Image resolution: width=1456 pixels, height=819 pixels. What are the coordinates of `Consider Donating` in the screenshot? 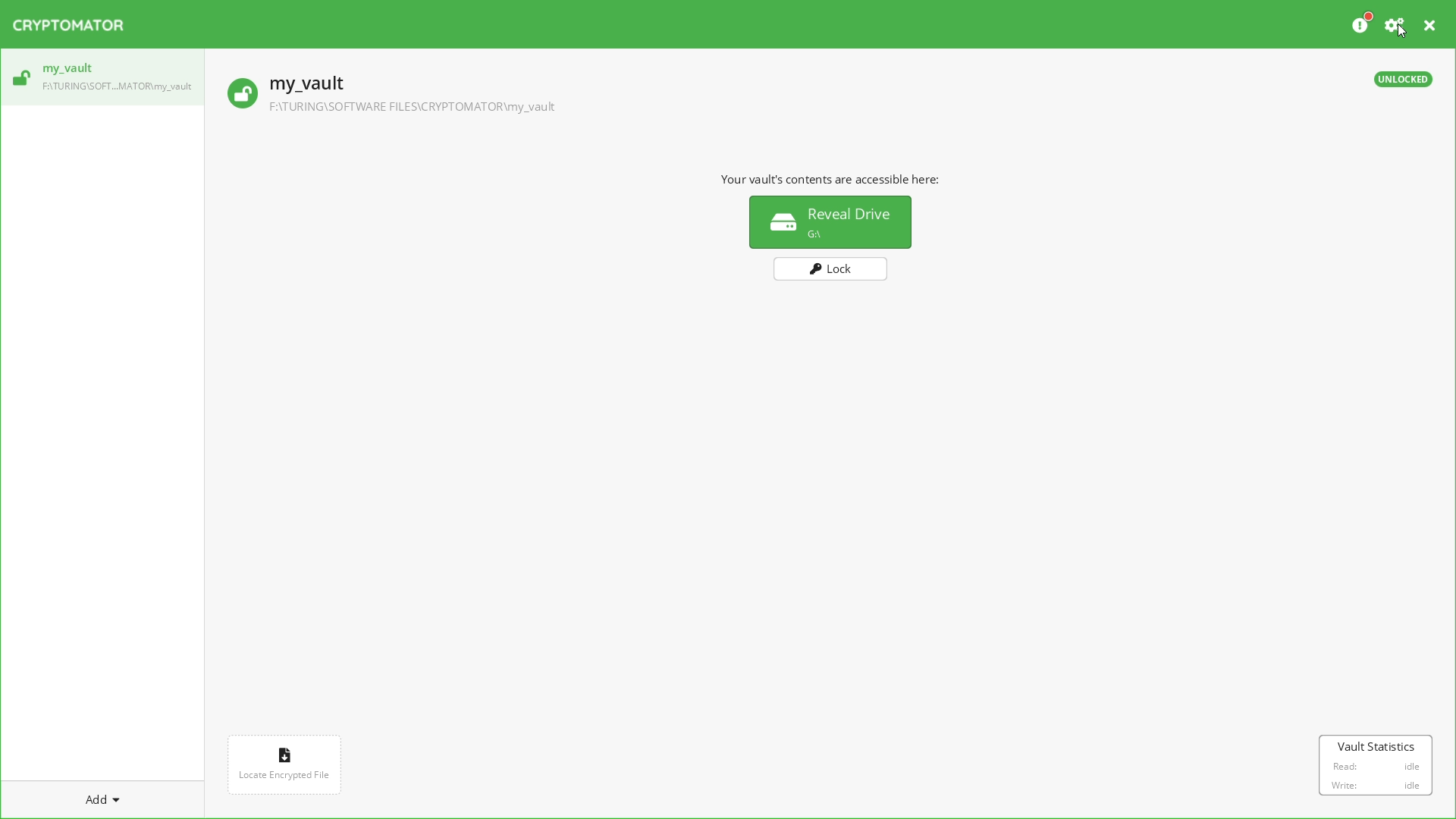 It's located at (1362, 22).